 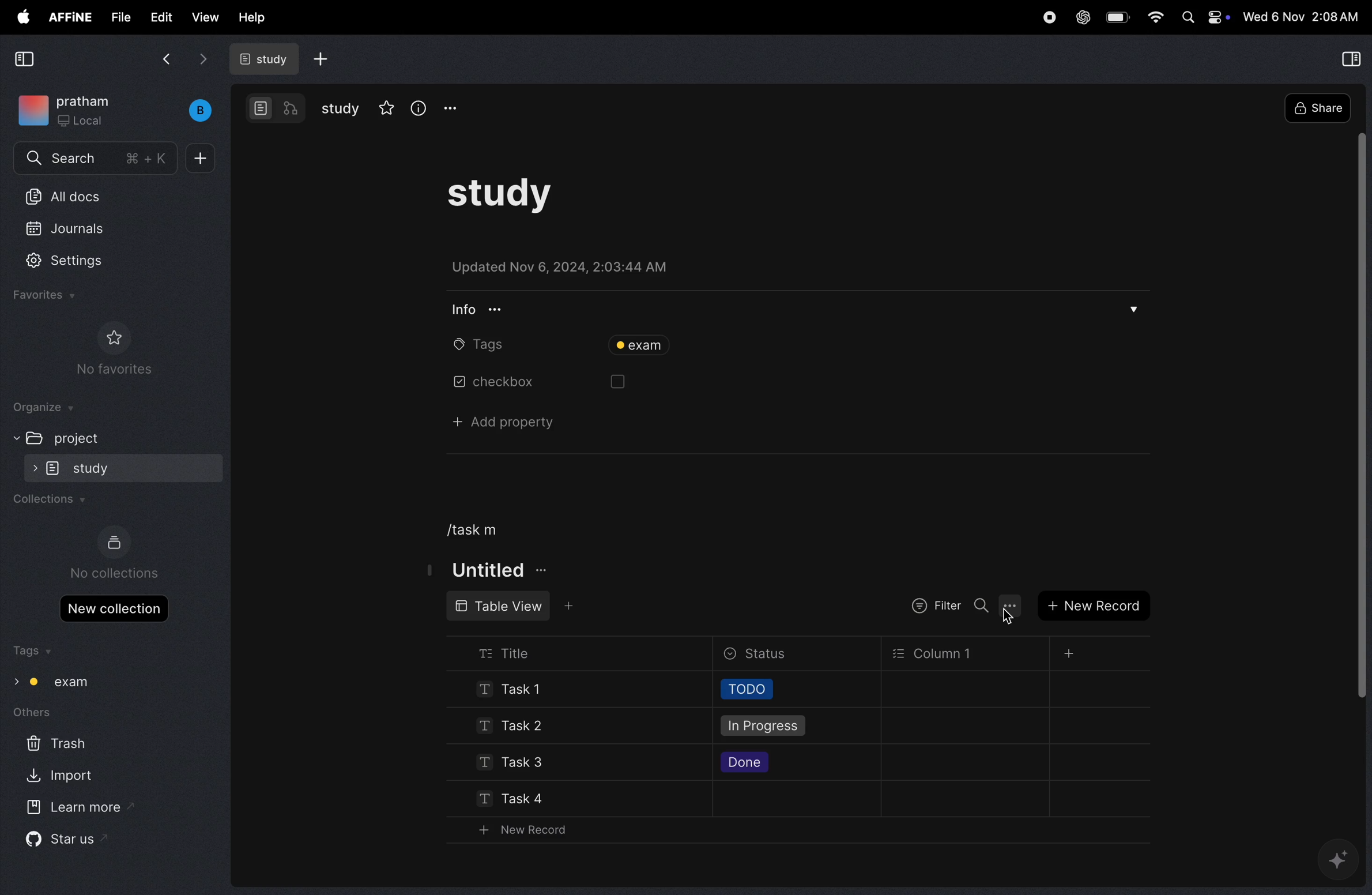 I want to click on file, so click(x=117, y=18).